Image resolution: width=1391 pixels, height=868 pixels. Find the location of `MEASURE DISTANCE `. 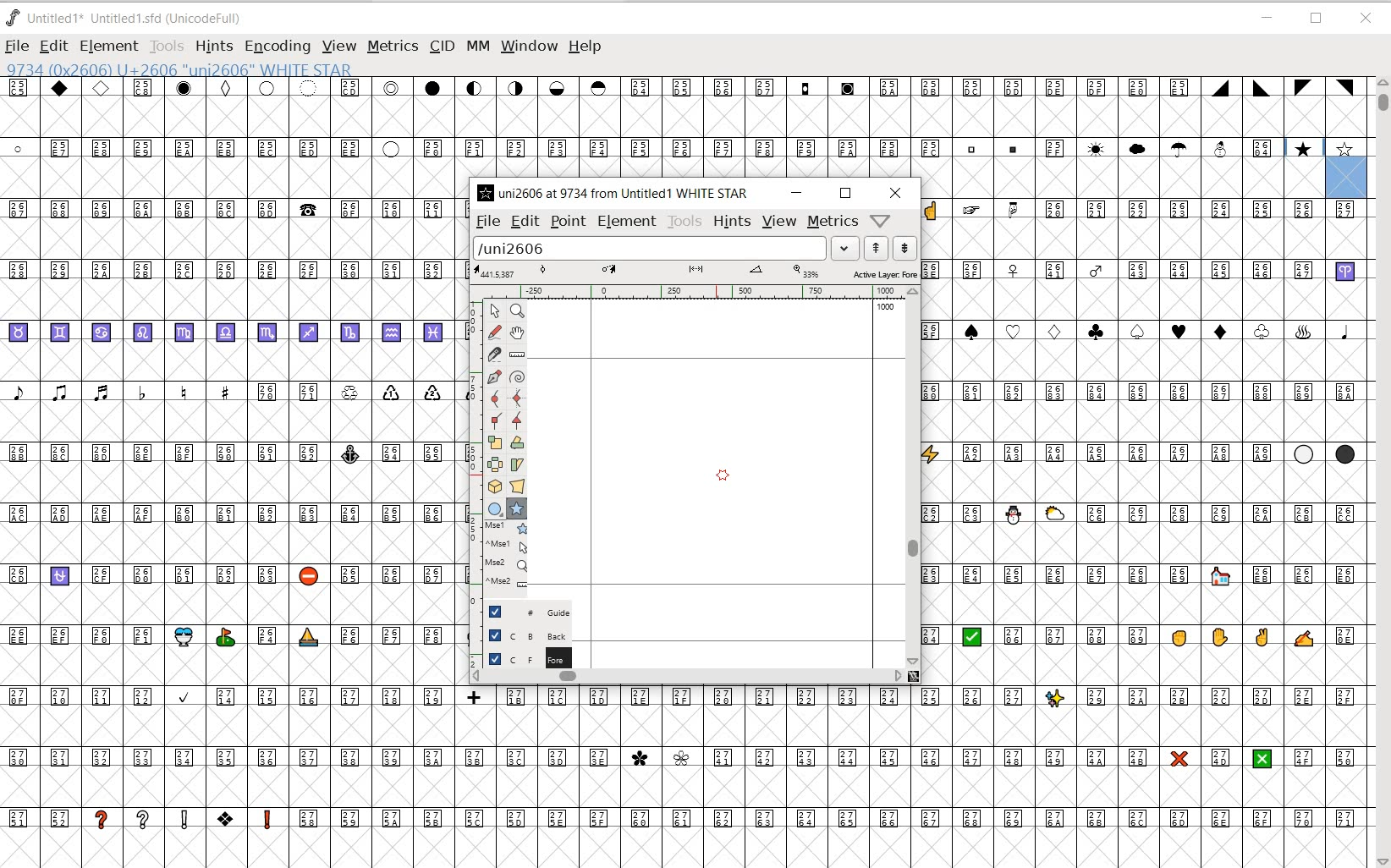

MEASURE DISTANCE  is located at coordinates (519, 355).